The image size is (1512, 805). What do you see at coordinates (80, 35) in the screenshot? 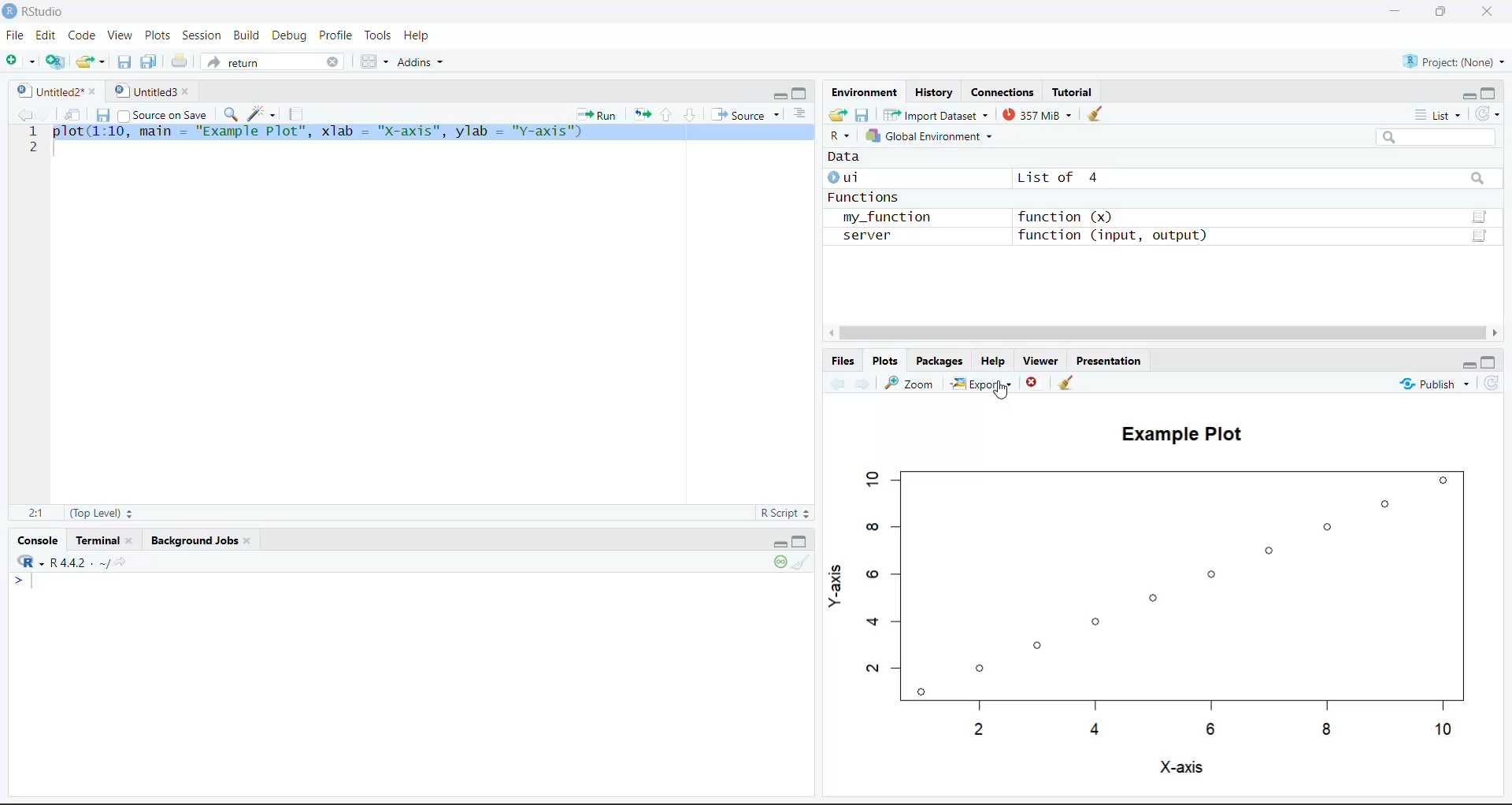
I see `Code` at bounding box center [80, 35].